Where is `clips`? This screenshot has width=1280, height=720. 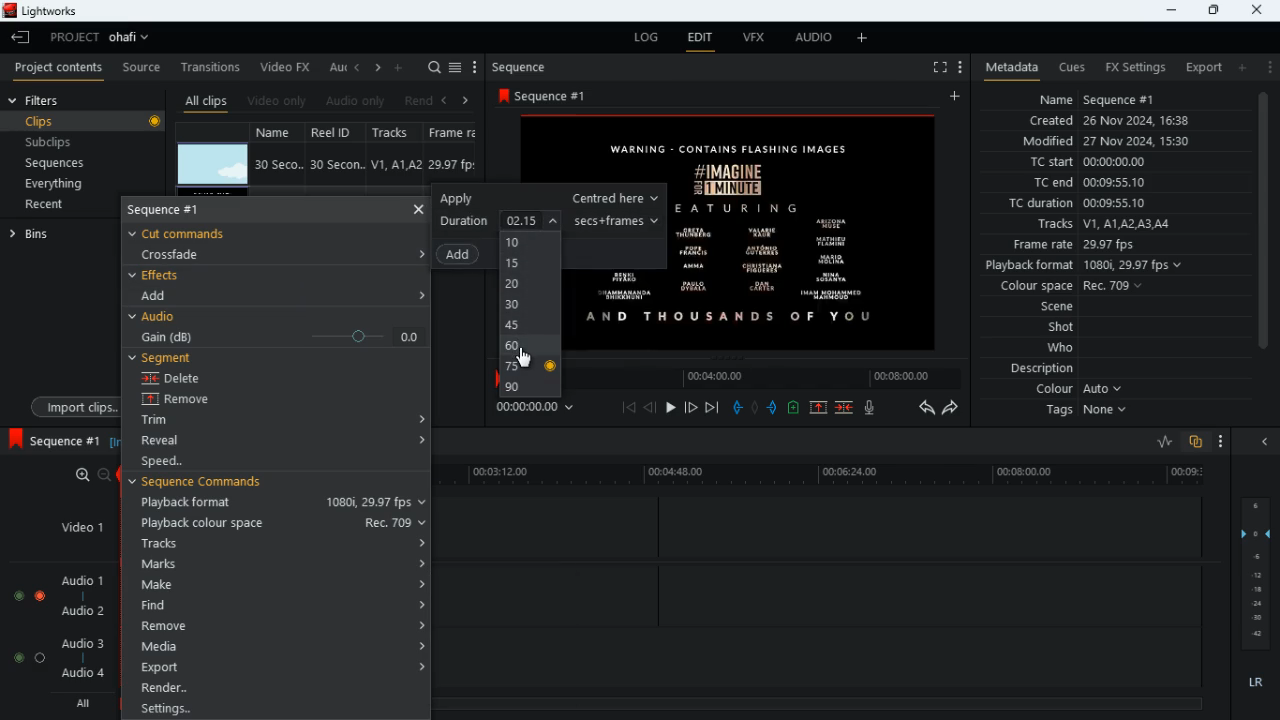
clips is located at coordinates (86, 122).